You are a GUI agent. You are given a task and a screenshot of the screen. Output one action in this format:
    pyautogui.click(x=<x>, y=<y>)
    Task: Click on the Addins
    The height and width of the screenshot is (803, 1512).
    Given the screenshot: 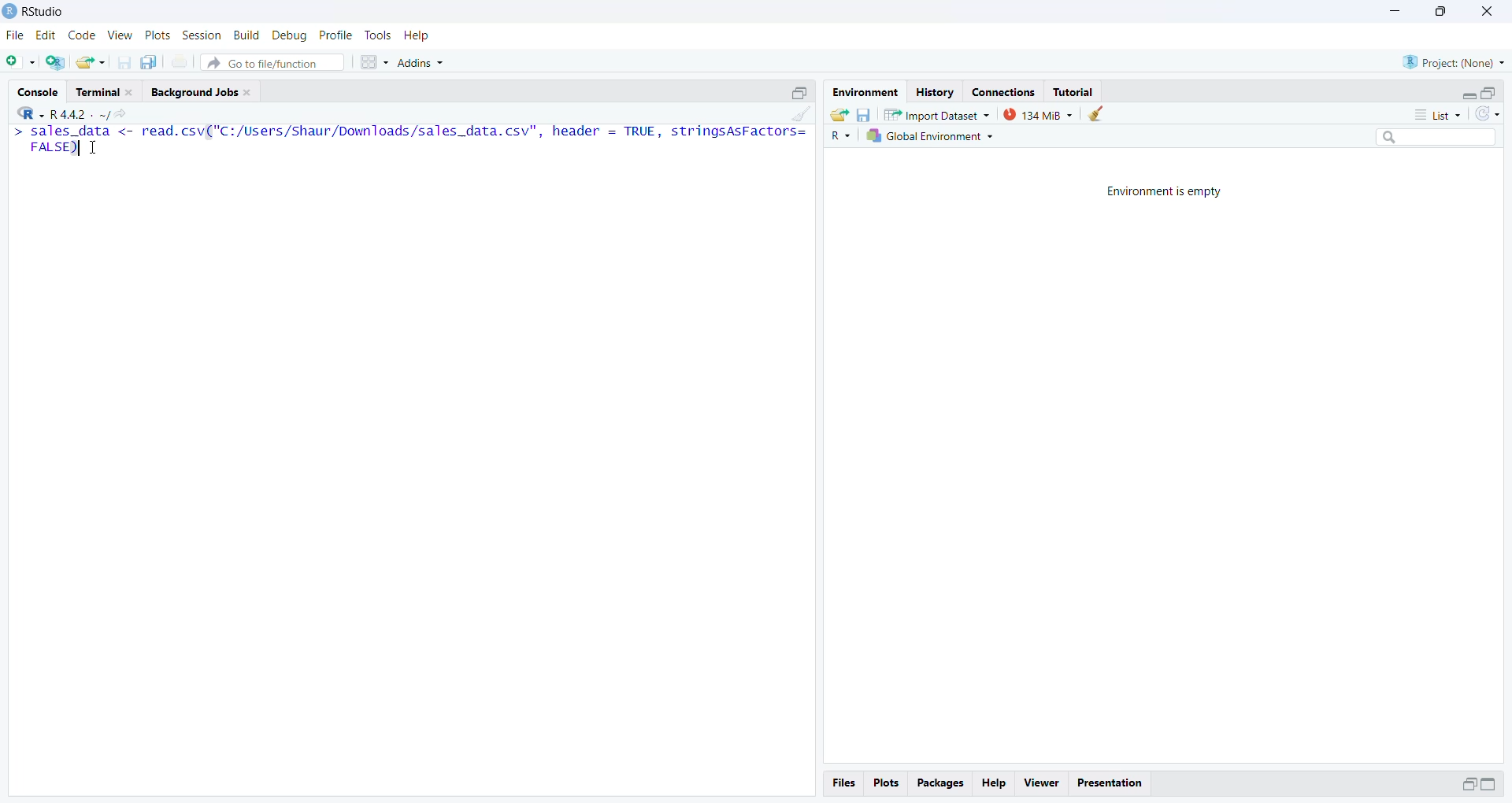 What is the action you would take?
    pyautogui.click(x=421, y=62)
    